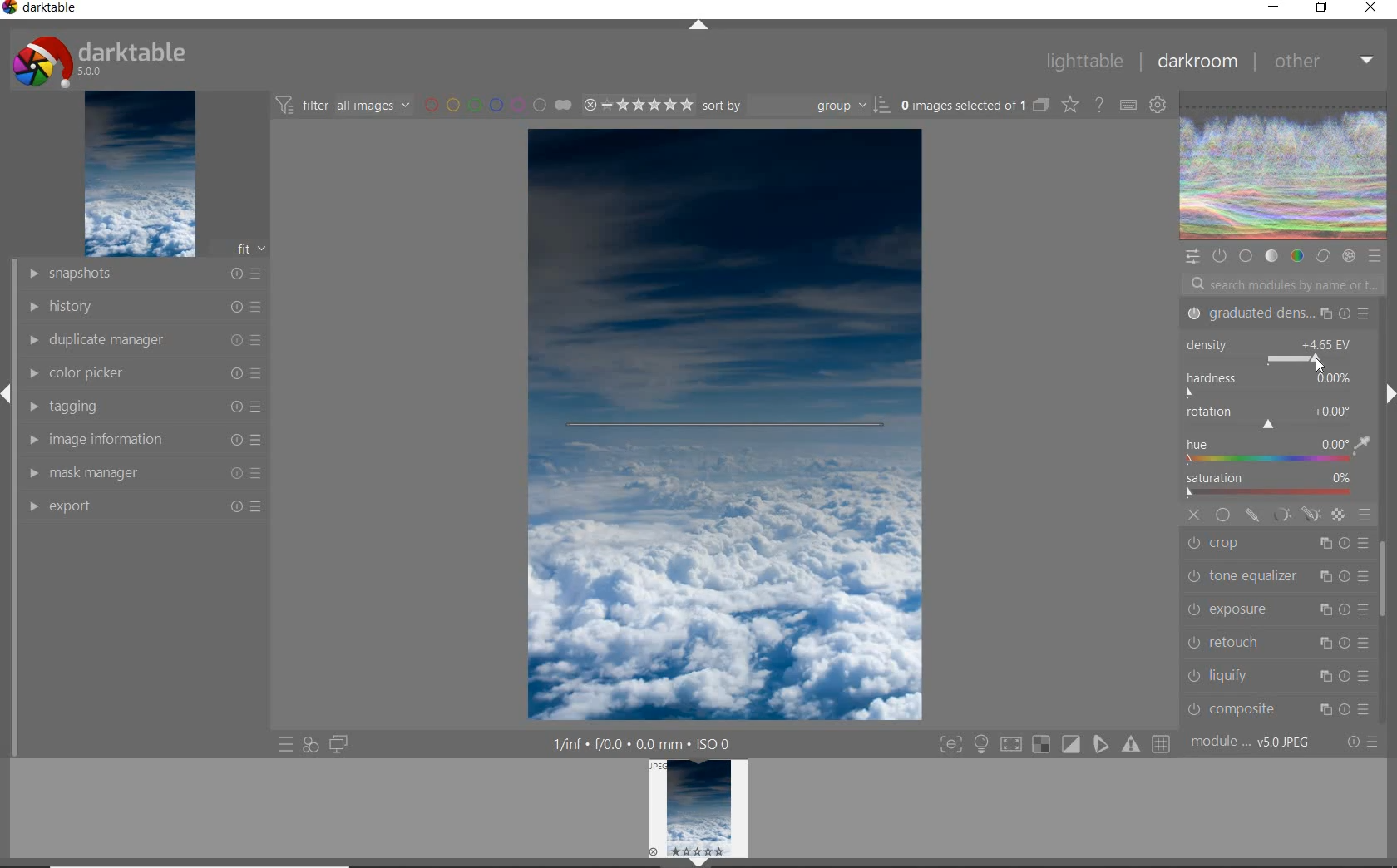  Describe the element at coordinates (698, 807) in the screenshot. I see `IMAGE PREVIEW` at that location.